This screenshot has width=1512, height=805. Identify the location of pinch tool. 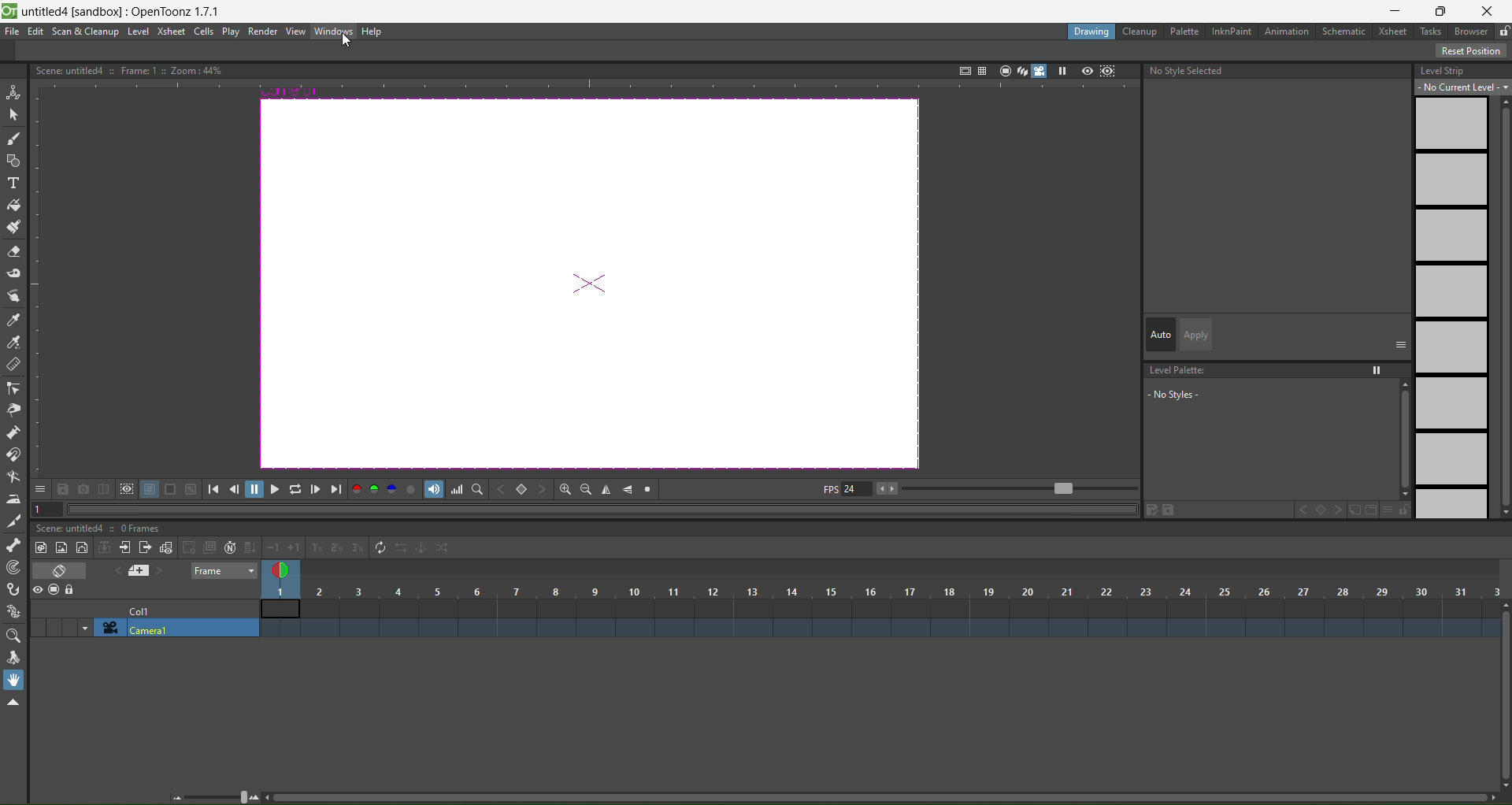
(13, 410).